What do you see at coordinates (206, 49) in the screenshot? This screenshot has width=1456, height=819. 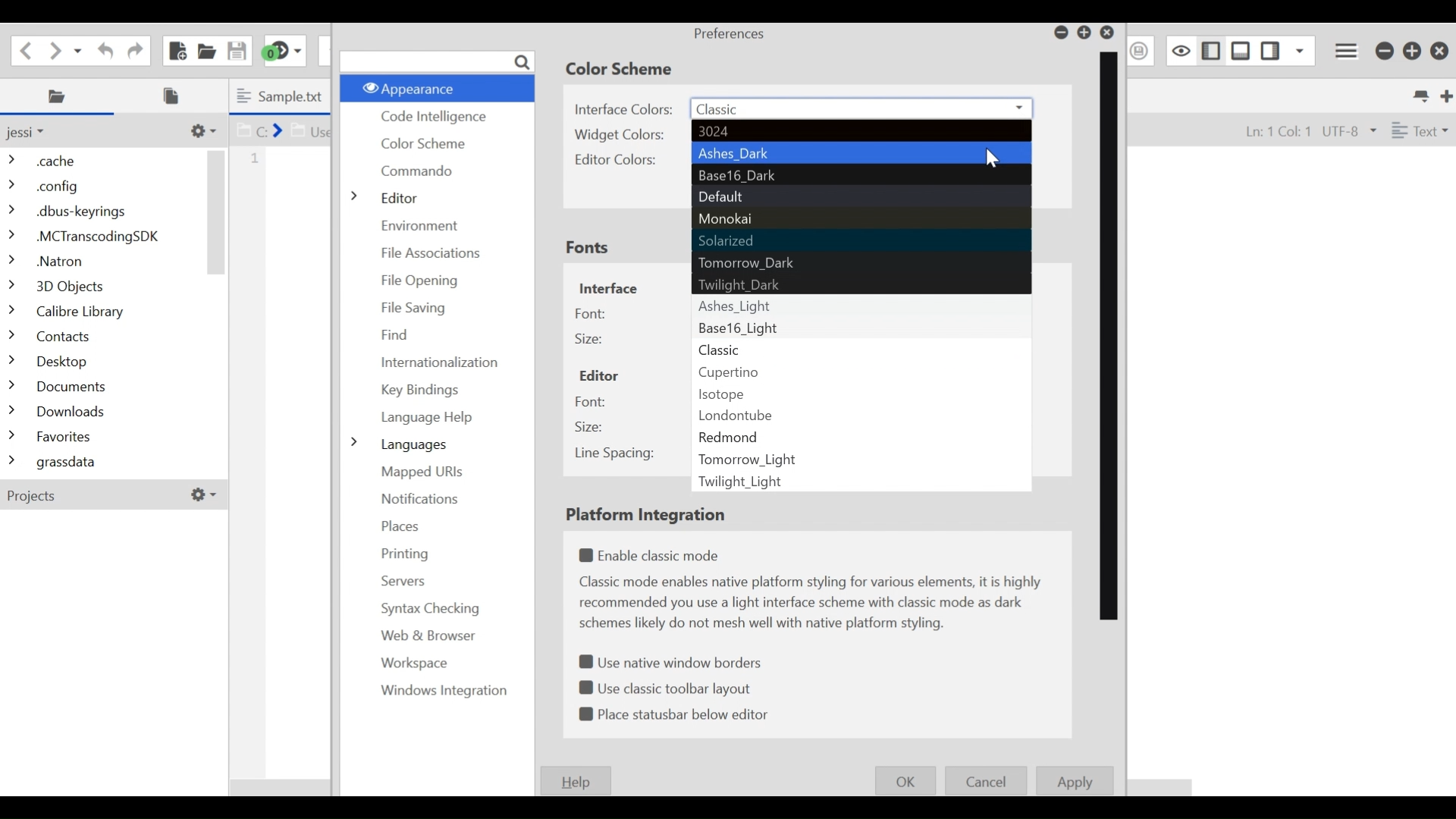 I see `Open file` at bounding box center [206, 49].